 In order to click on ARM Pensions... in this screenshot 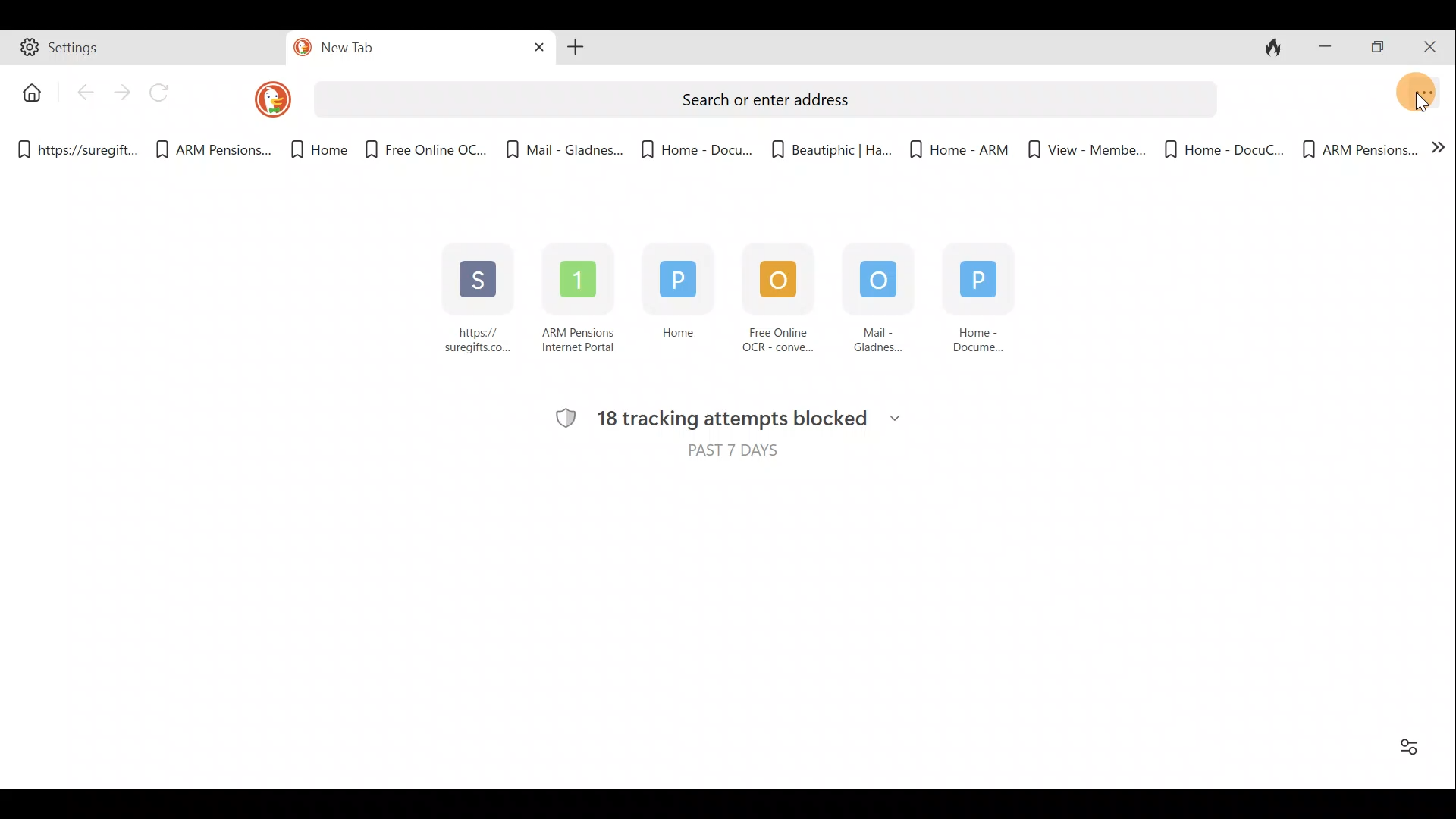, I will do `click(1359, 147)`.